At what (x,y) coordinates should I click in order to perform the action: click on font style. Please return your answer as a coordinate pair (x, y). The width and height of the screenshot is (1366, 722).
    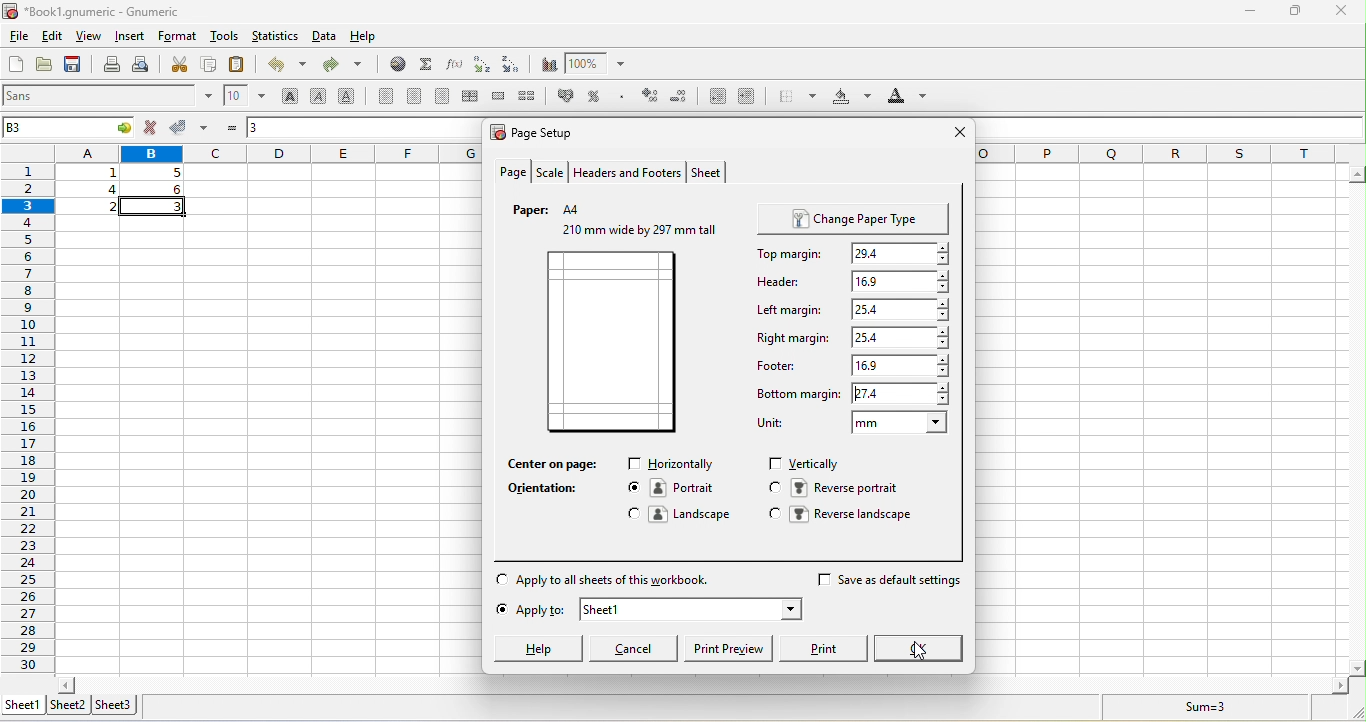
    Looking at the image, I should click on (109, 97).